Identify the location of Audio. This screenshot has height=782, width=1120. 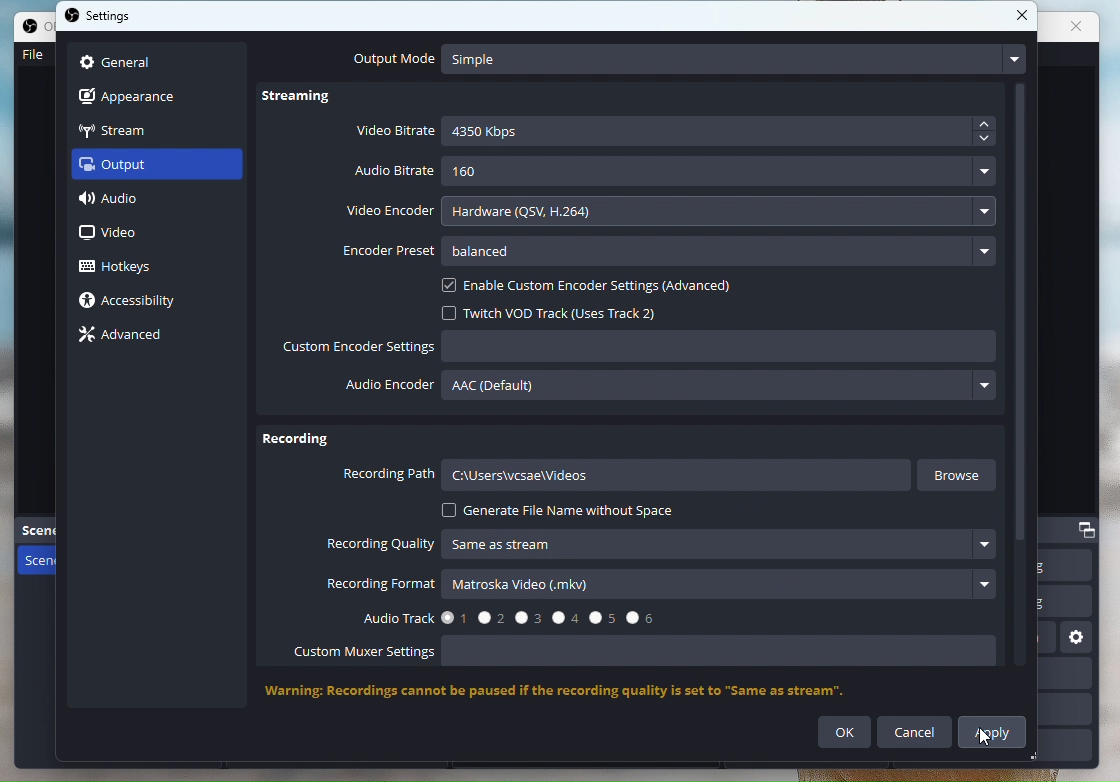
(131, 202).